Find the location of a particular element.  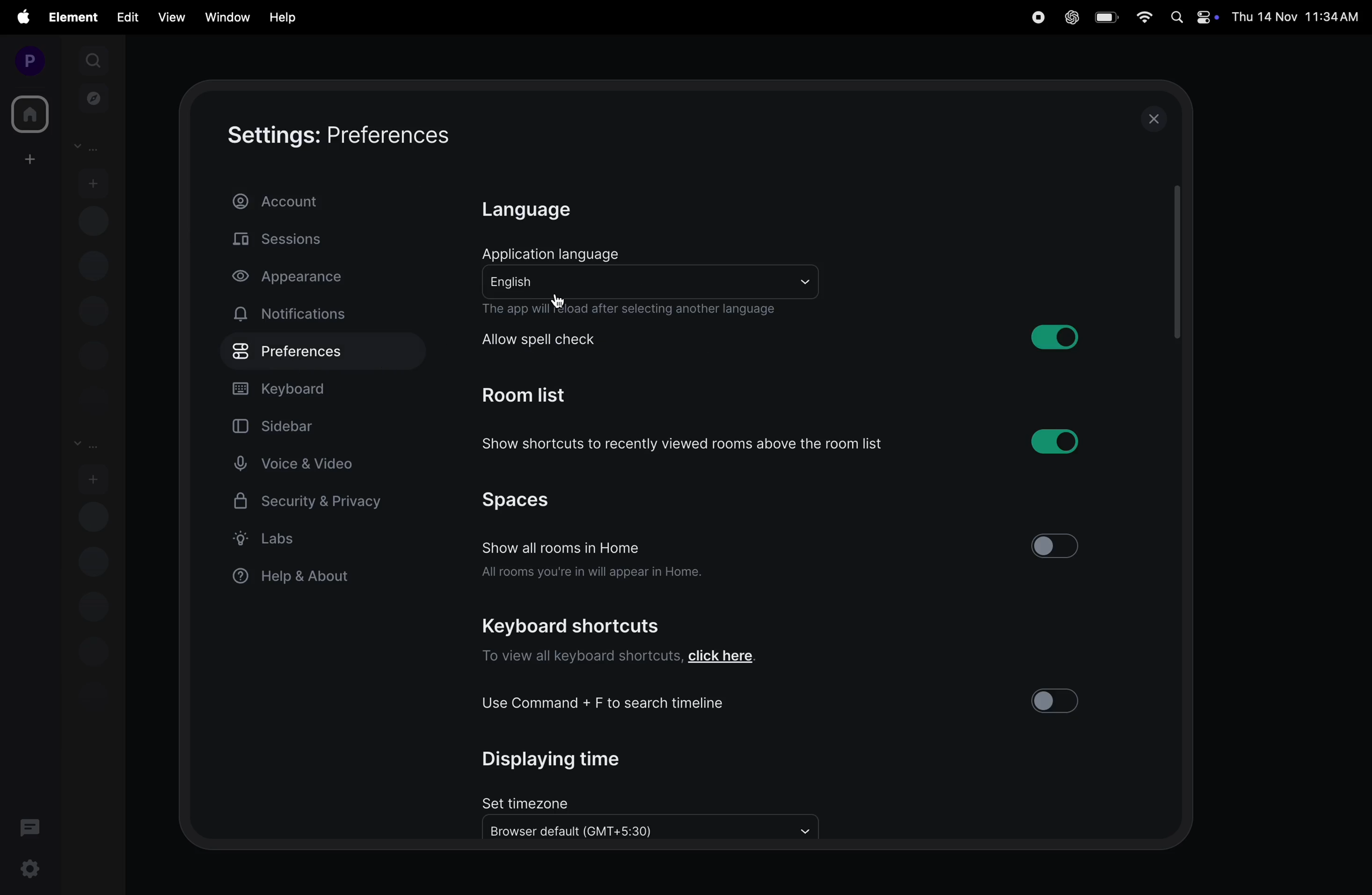

keyboard is located at coordinates (307, 391).